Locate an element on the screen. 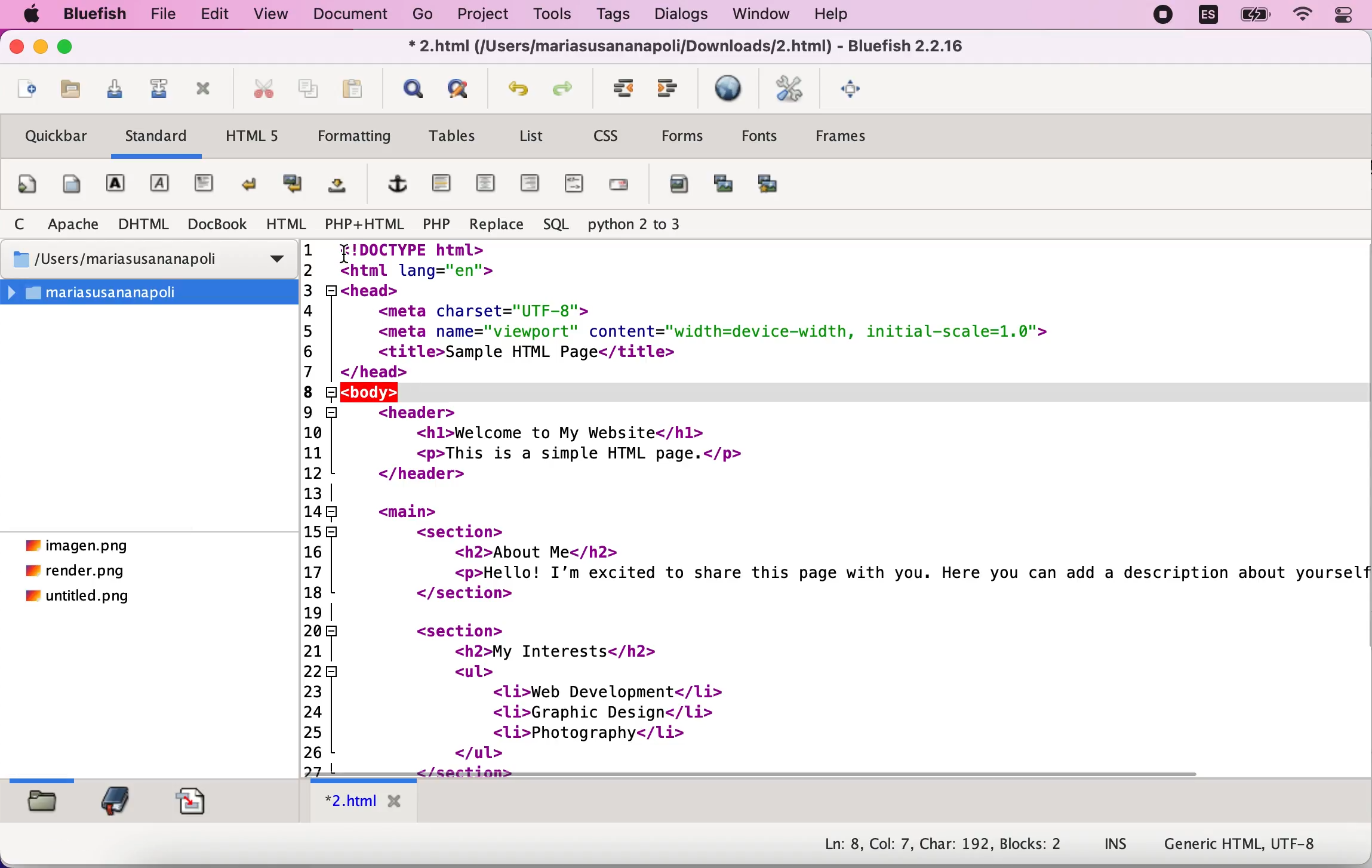  new file is located at coordinates (27, 89).